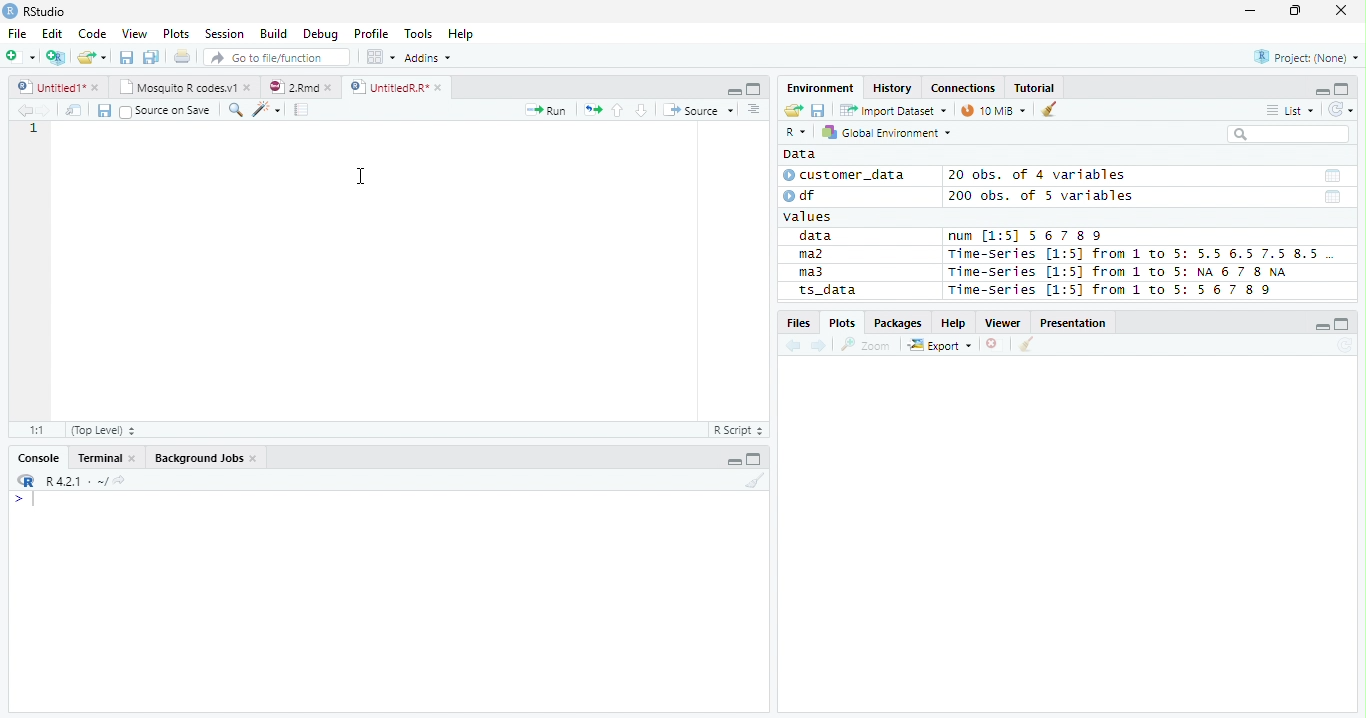 The width and height of the screenshot is (1366, 718). Describe the element at coordinates (891, 110) in the screenshot. I see `Import Dataset` at that location.